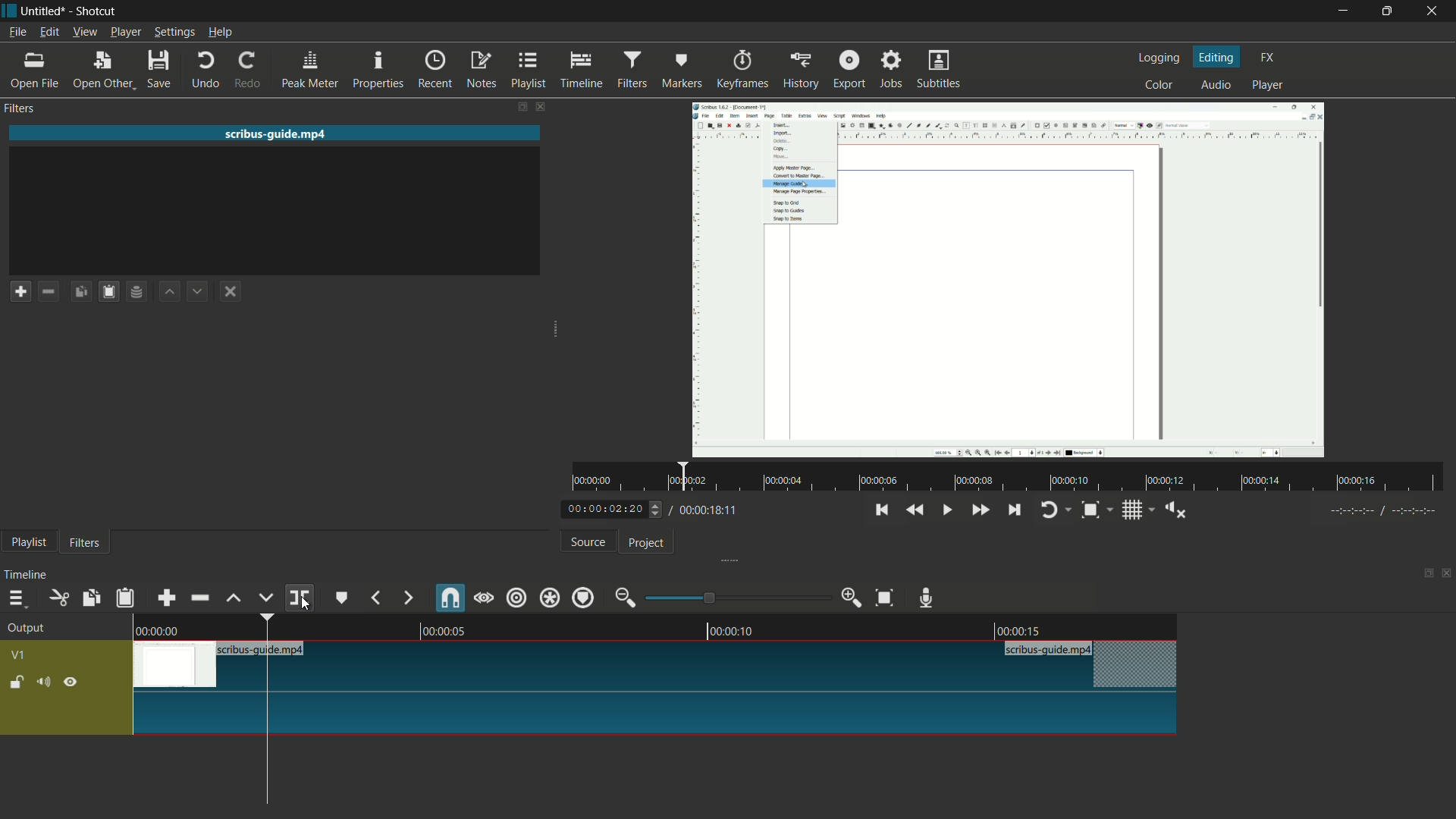 This screenshot has height=819, width=1456. What do you see at coordinates (26, 629) in the screenshot?
I see `output` at bounding box center [26, 629].